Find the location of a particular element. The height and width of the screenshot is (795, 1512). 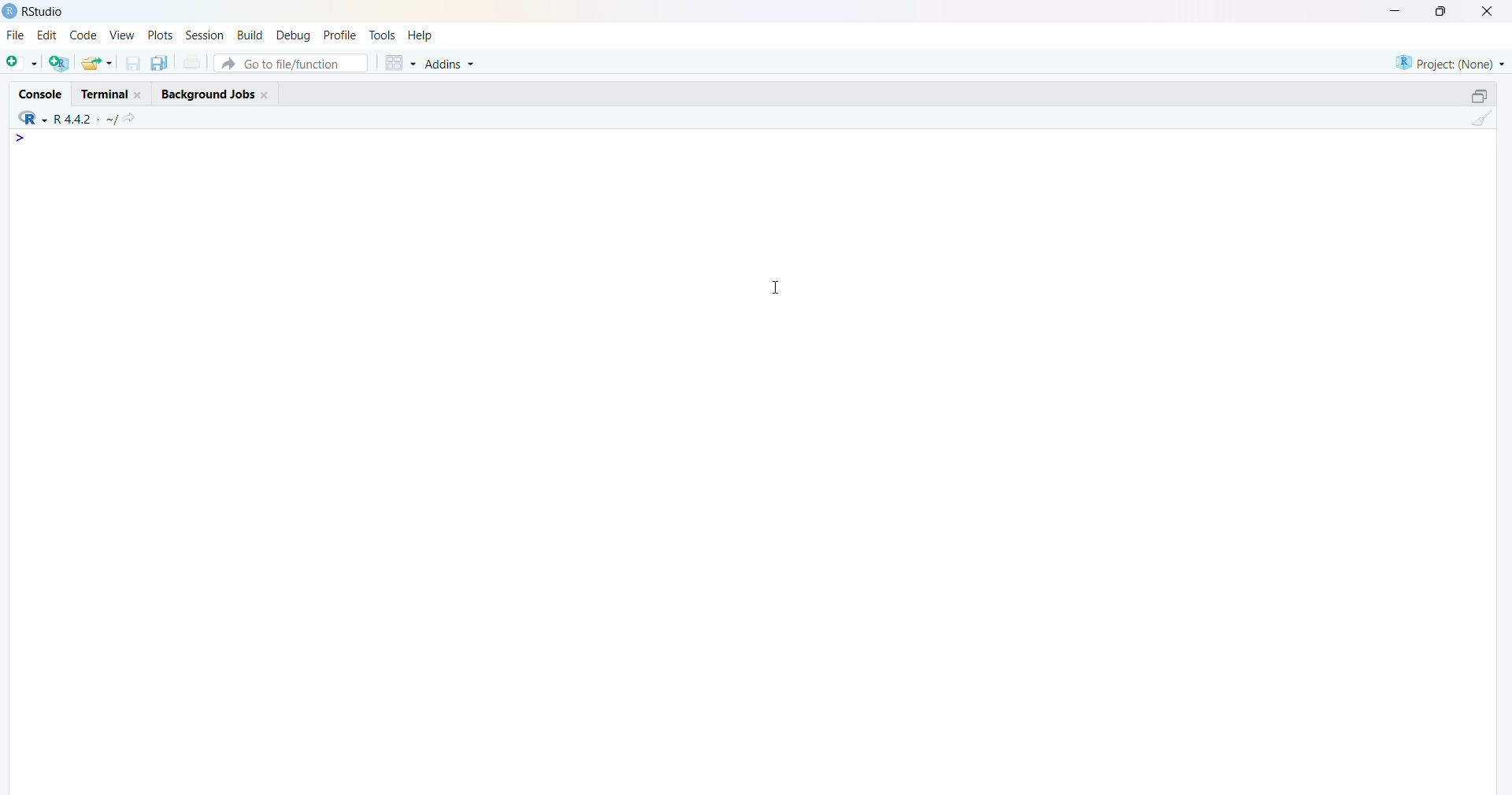

go to file/function is located at coordinates (292, 63).